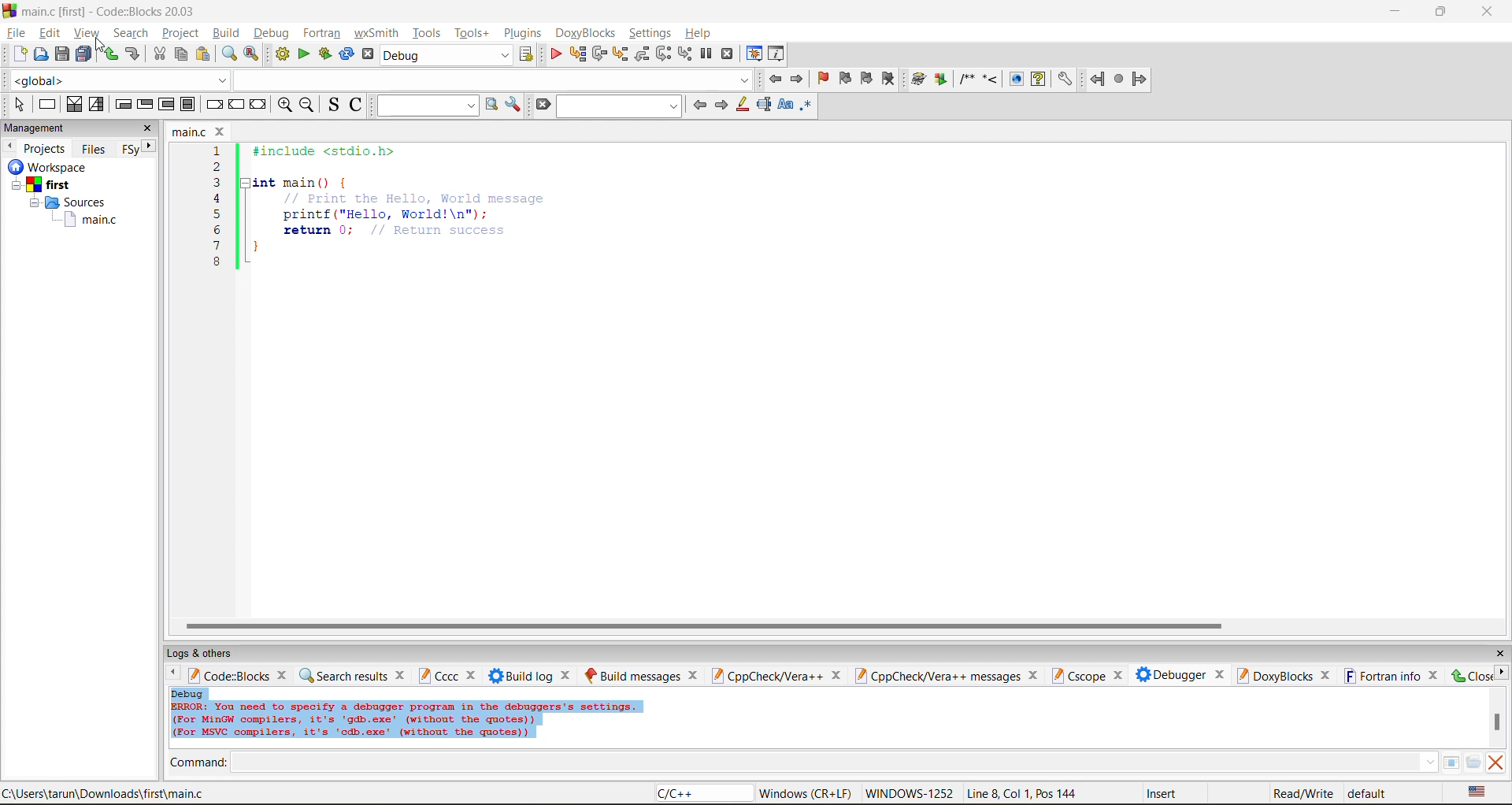 The image size is (1512, 805). Describe the element at coordinates (622, 106) in the screenshot. I see `search` at that location.